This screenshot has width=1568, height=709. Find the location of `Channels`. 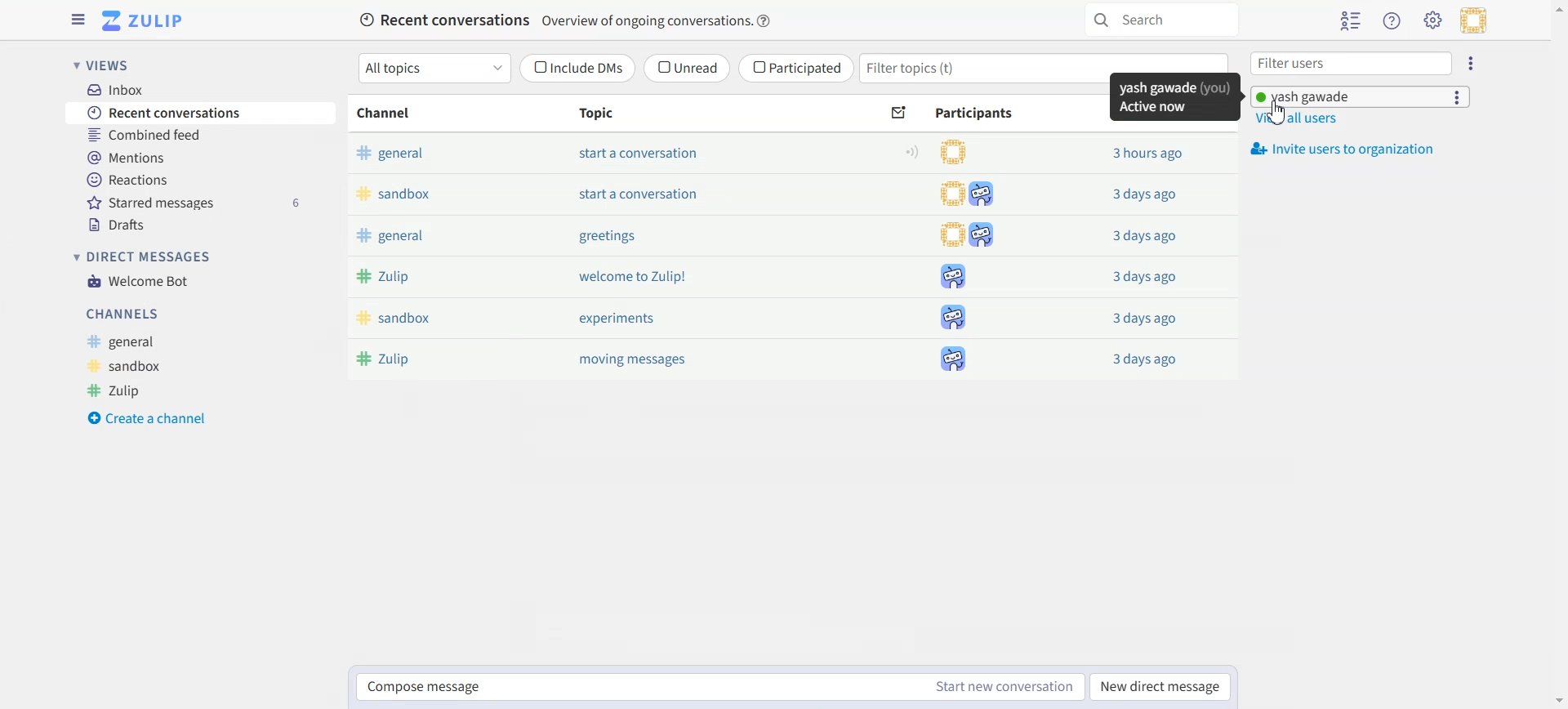

Channels is located at coordinates (124, 311).